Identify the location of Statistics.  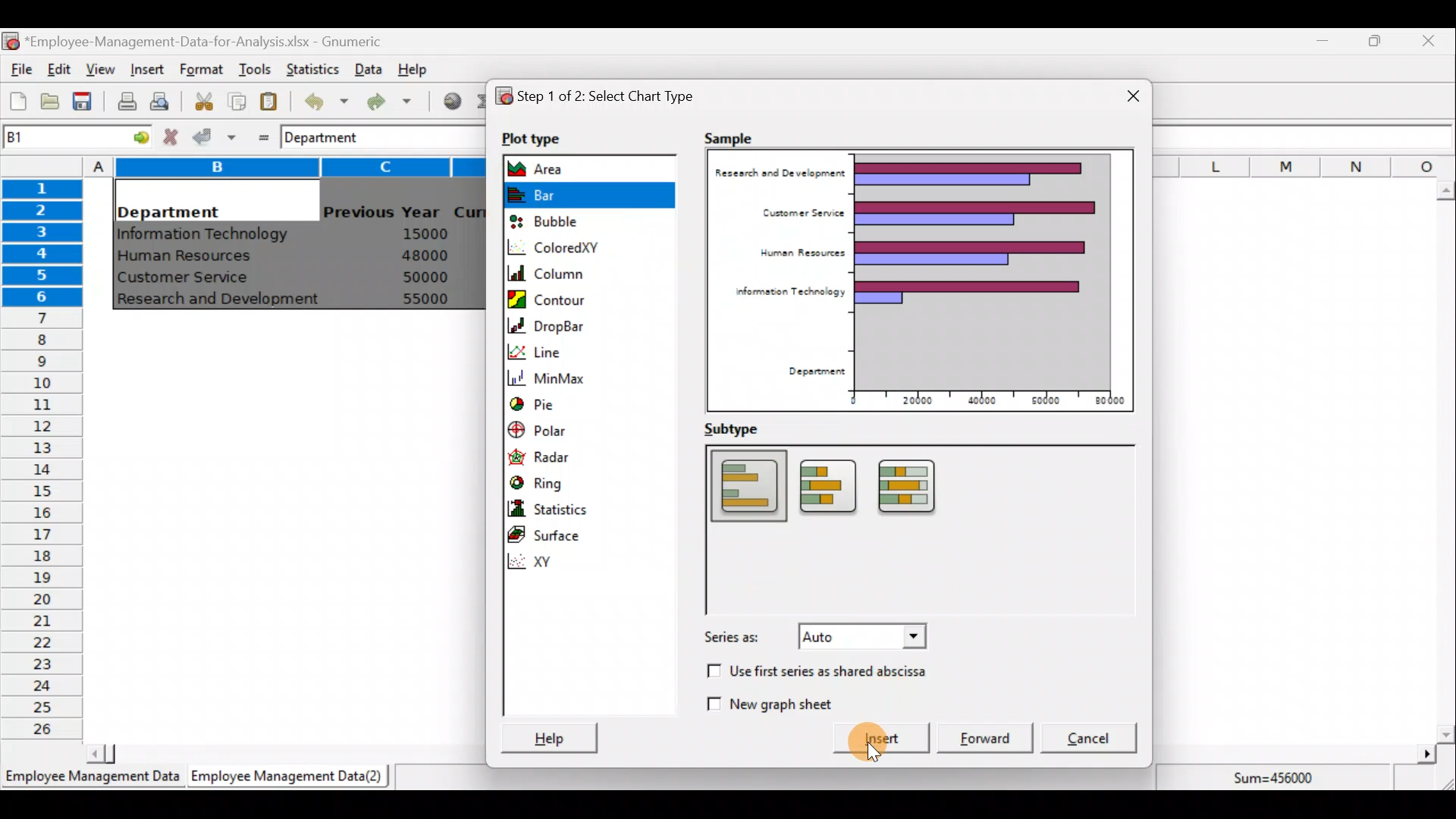
(309, 67).